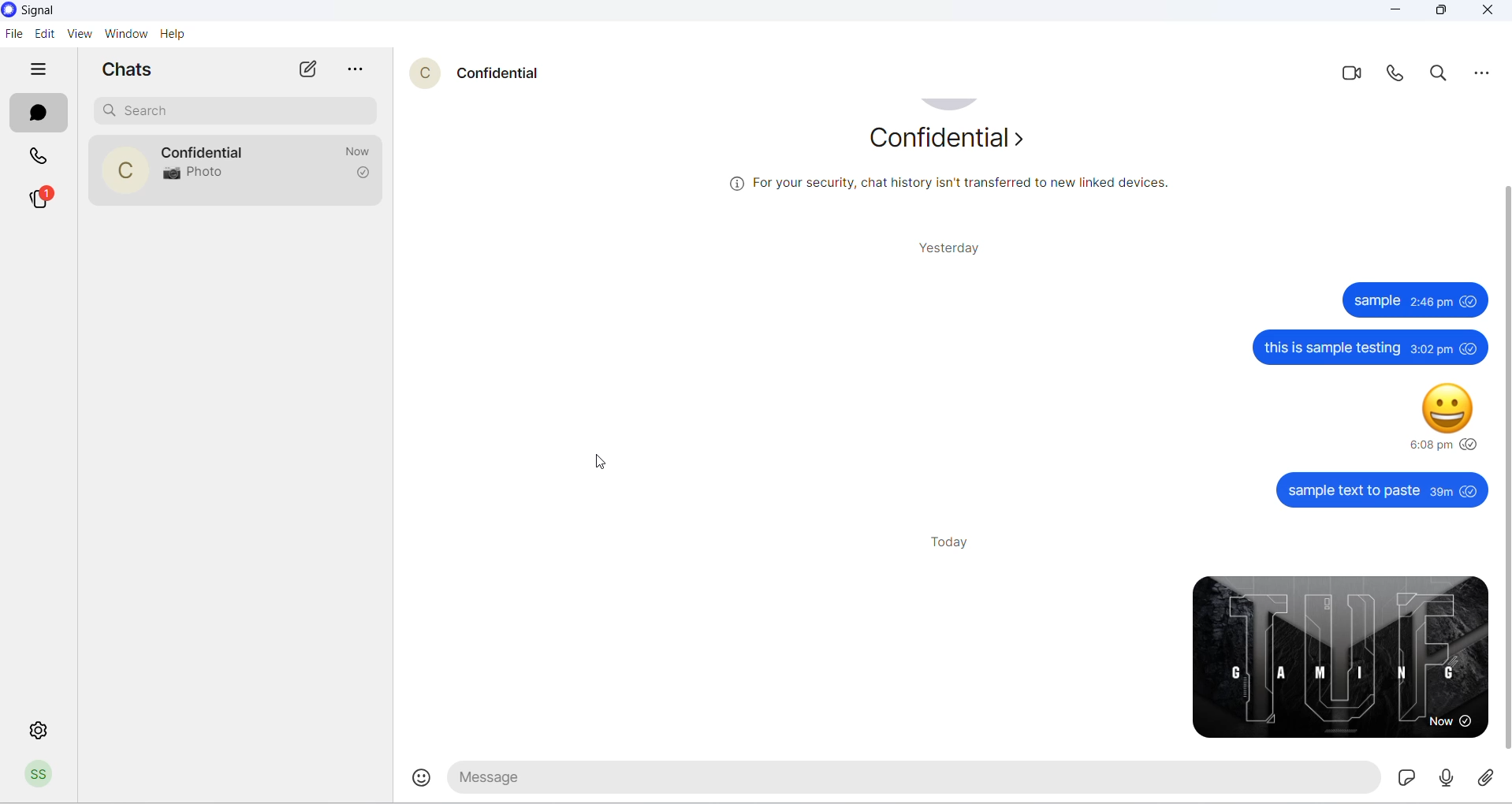 Image resolution: width=1512 pixels, height=804 pixels. Describe the element at coordinates (1398, 77) in the screenshot. I see `voice call` at that location.